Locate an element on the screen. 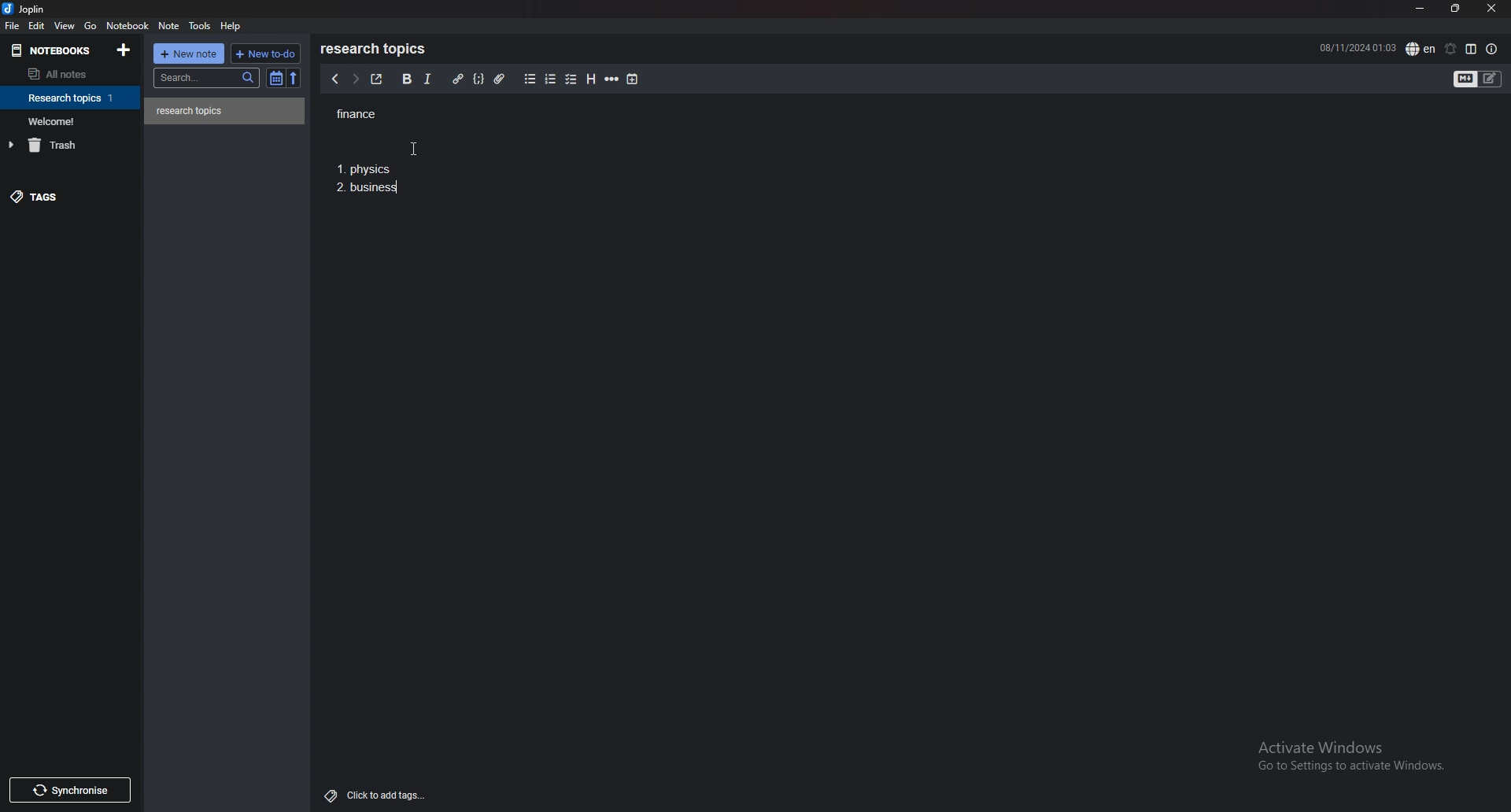 The width and height of the screenshot is (1511, 812). horizontal rule is located at coordinates (613, 79).